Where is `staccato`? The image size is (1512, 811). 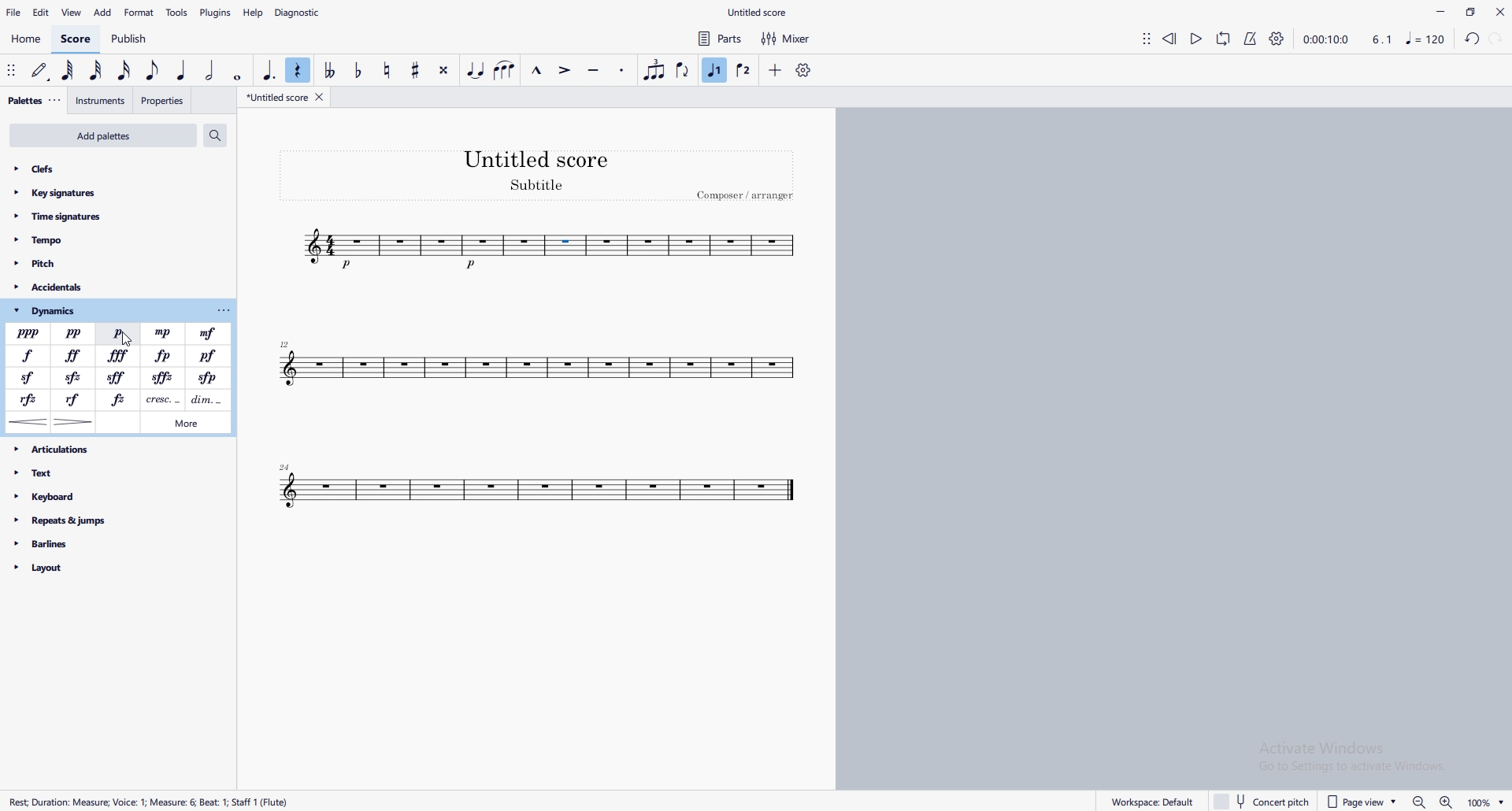 staccato is located at coordinates (621, 70).